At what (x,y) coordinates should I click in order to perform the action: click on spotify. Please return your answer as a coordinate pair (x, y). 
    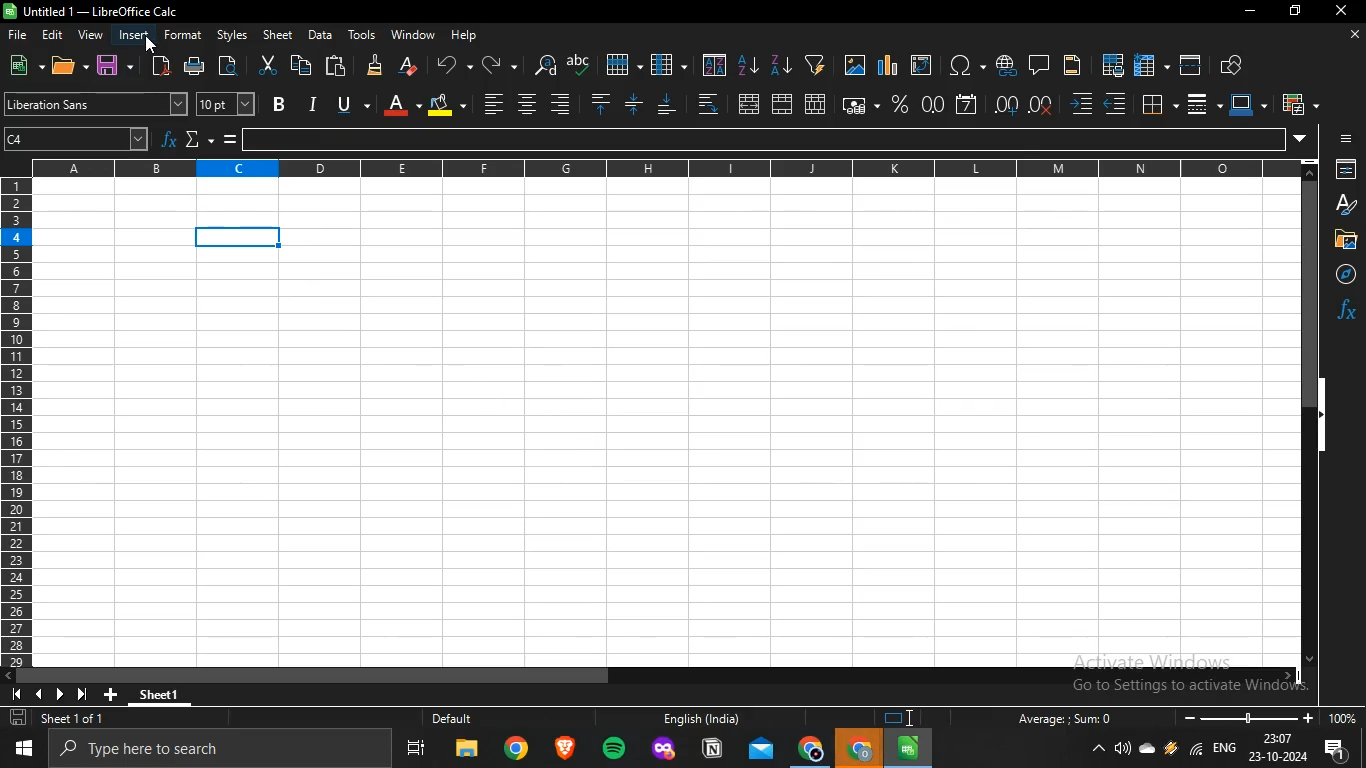
    Looking at the image, I should click on (614, 750).